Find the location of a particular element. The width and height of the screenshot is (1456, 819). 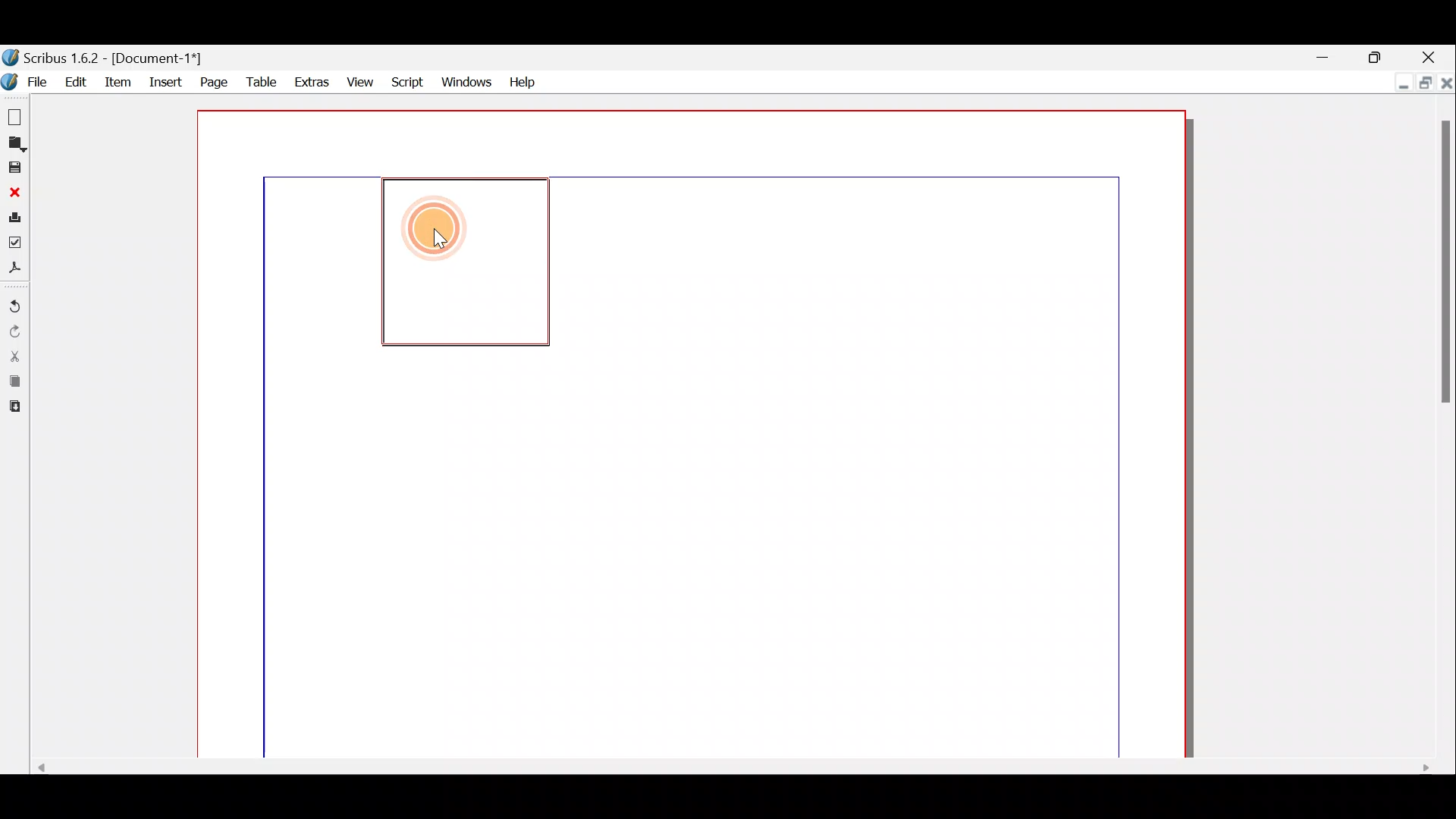

Save is located at coordinates (14, 168).